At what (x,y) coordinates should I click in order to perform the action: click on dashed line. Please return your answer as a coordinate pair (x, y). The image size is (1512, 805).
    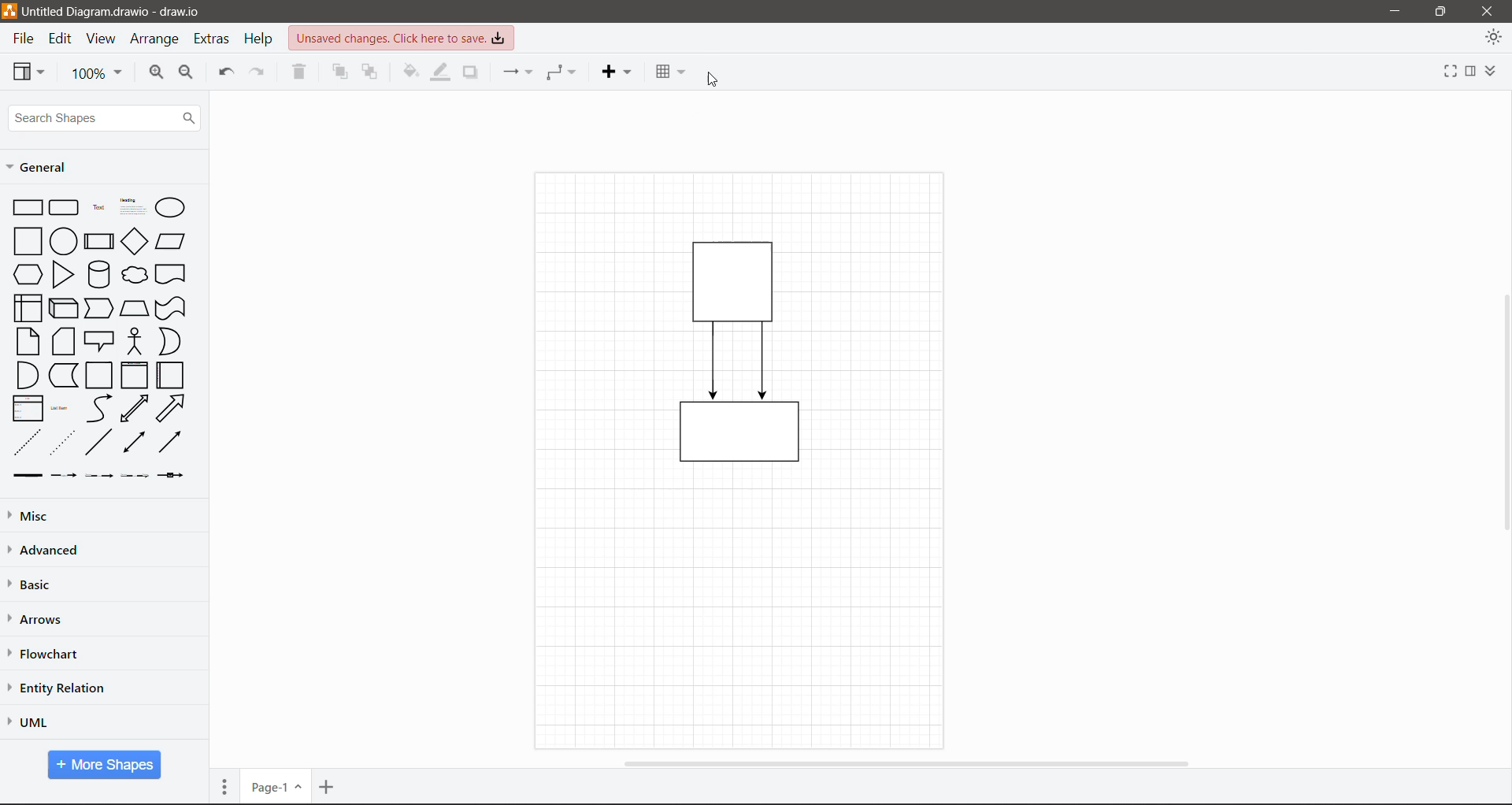
    Looking at the image, I should click on (28, 442).